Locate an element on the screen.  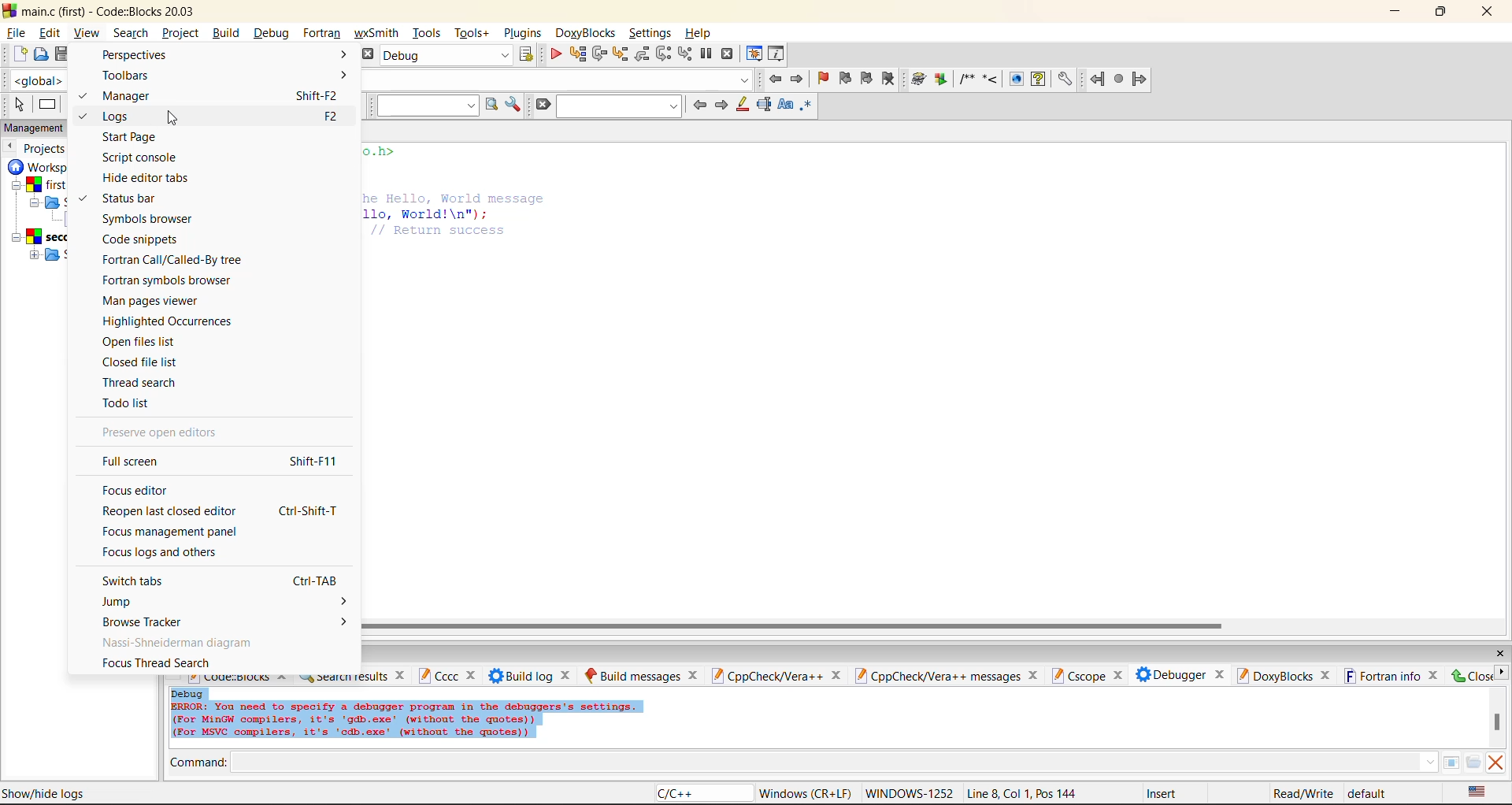
next is located at coordinates (1502, 673).